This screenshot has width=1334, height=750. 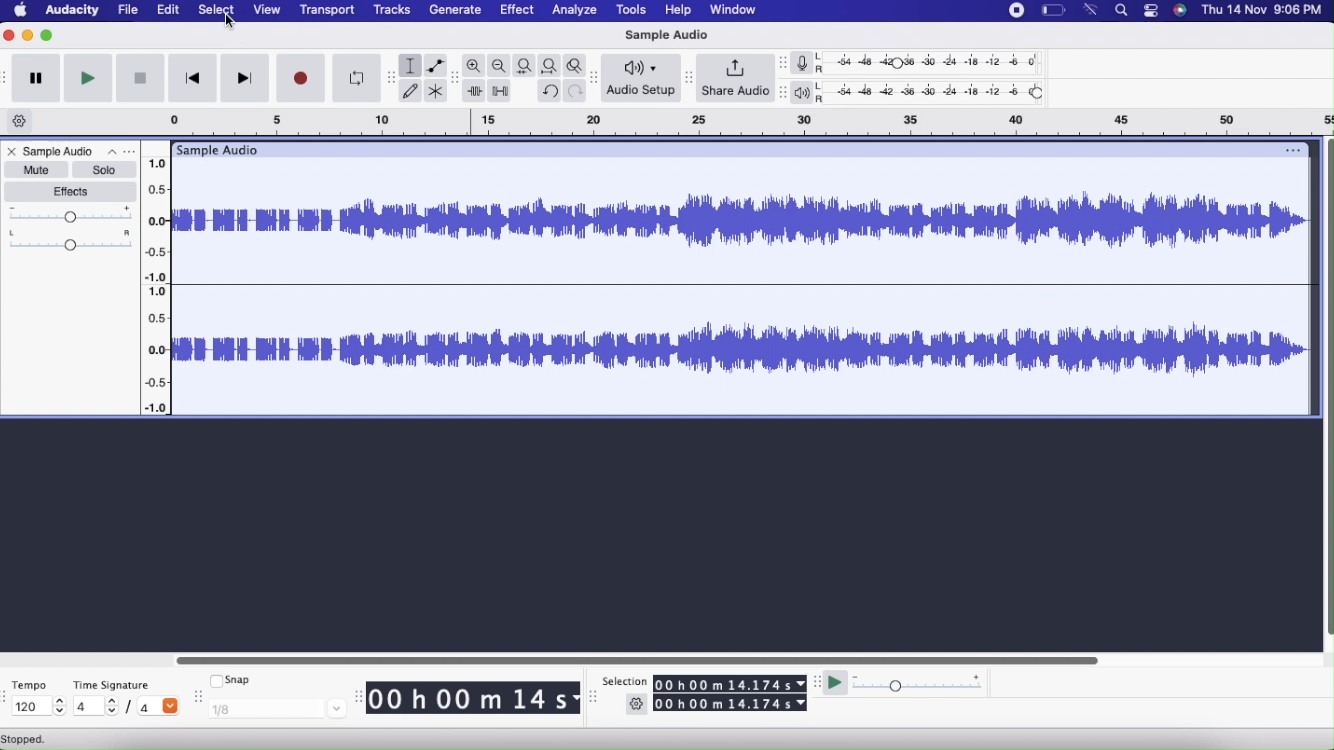 What do you see at coordinates (157, 706) in the screenshot?
I see `/4` at bounding box center [157, 706].